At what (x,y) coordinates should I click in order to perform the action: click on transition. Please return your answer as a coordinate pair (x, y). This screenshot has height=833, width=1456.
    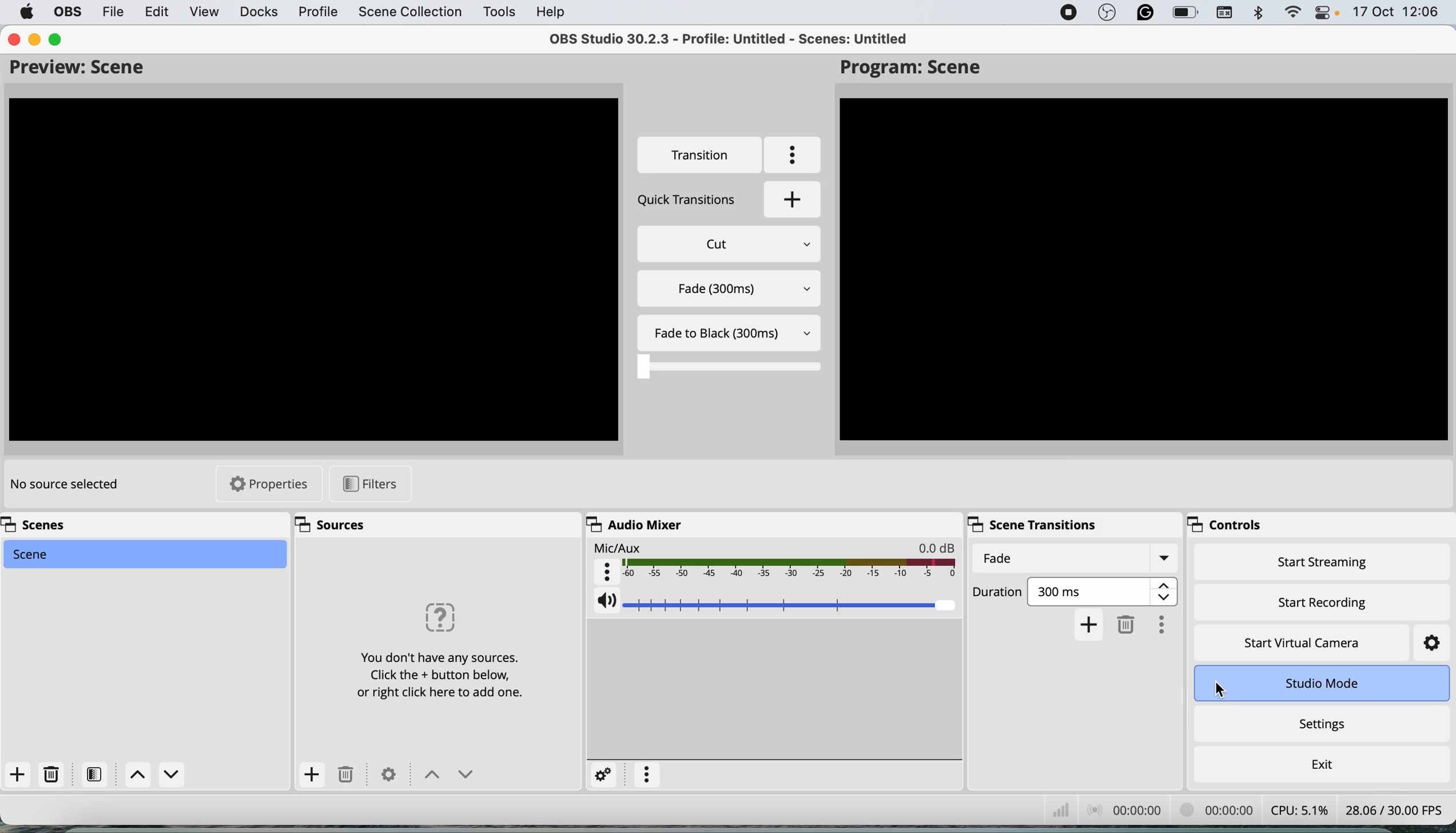
    Looking at the image, I should click on (698, 154).